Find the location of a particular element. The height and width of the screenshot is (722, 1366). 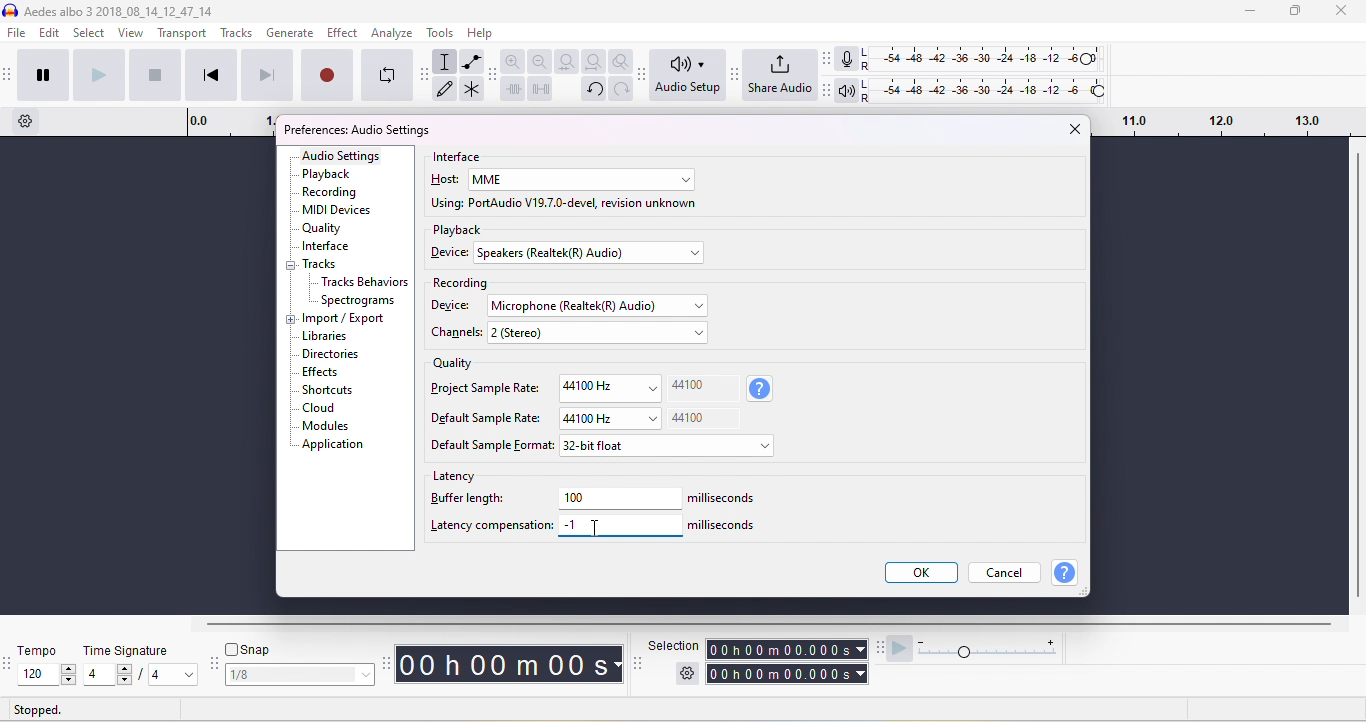

skip to start is located at coordinates (209, 74).